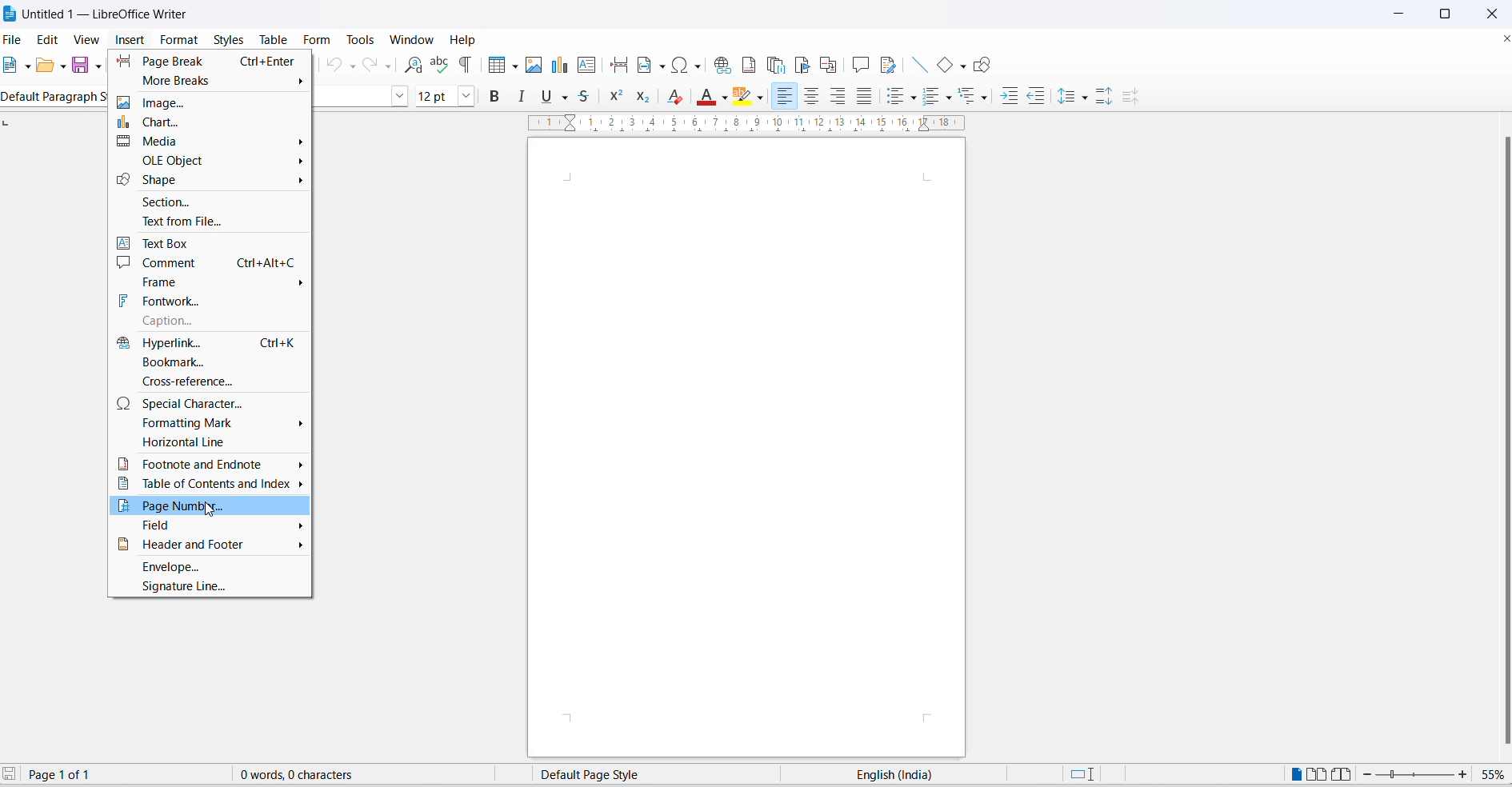 The height and width of the screenshot is (787, 1512). What do you see at coordinates (1369, 775) in the screenshot?
I see `decrease zoom` at bounding box center [1369, 775].